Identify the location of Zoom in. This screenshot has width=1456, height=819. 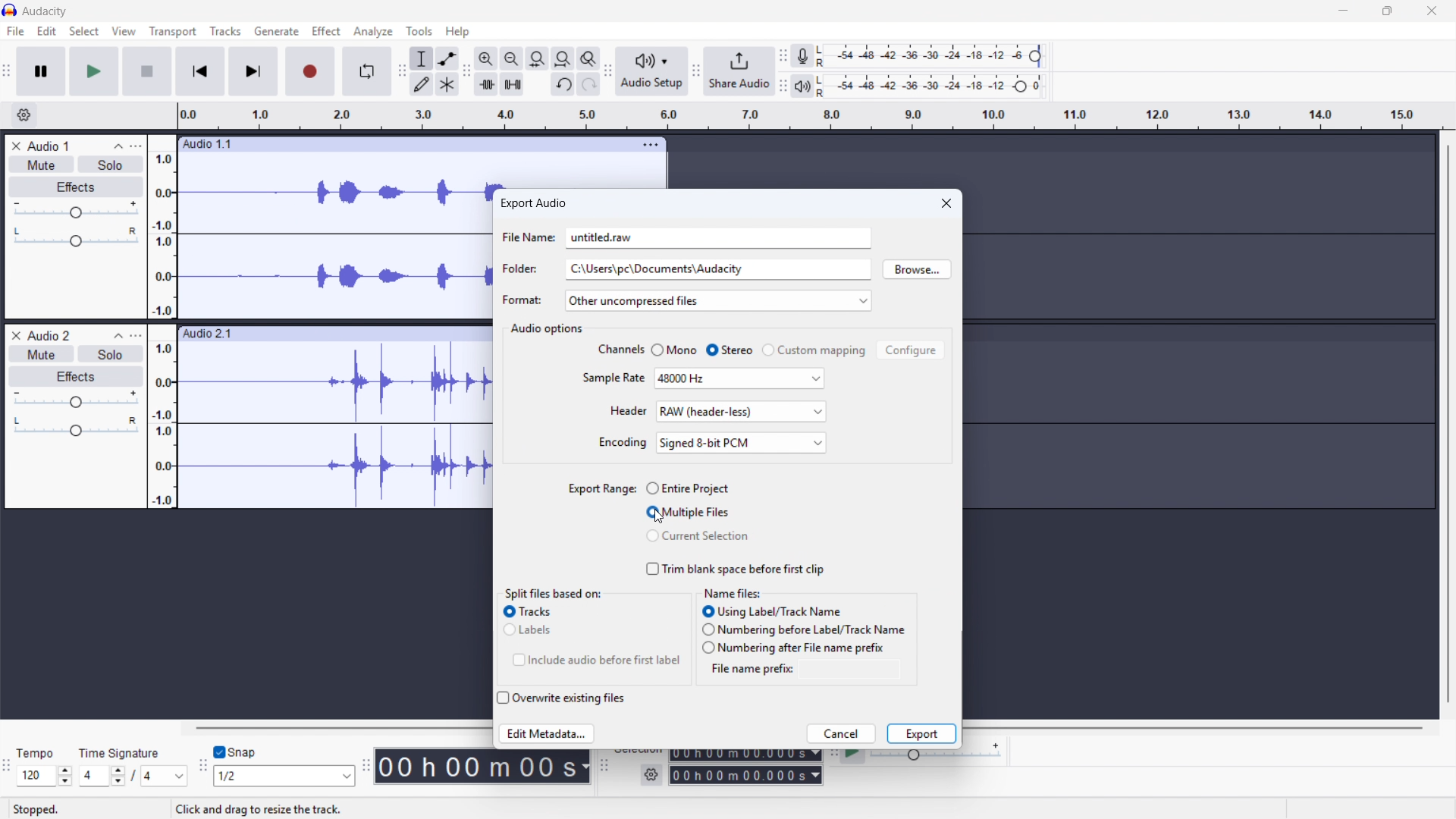
(485, 58).